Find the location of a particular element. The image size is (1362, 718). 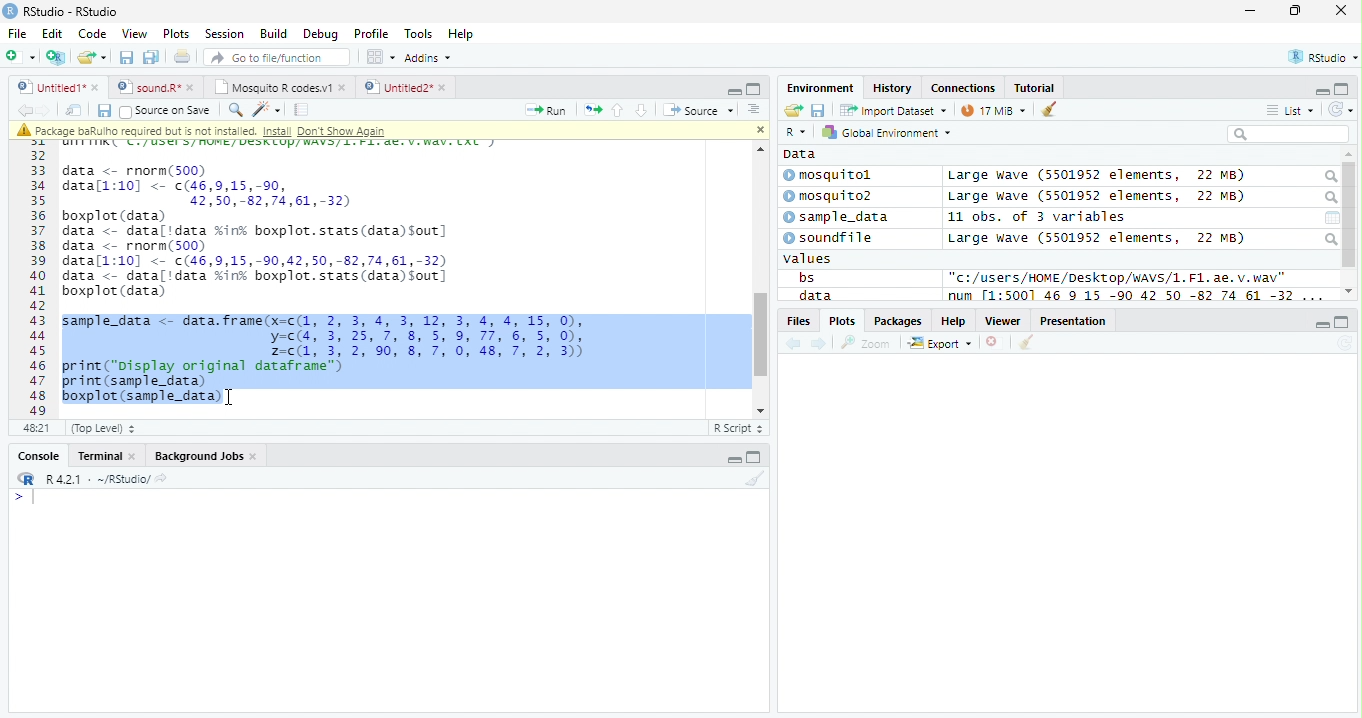

Data is located at coordinates (800, 154).